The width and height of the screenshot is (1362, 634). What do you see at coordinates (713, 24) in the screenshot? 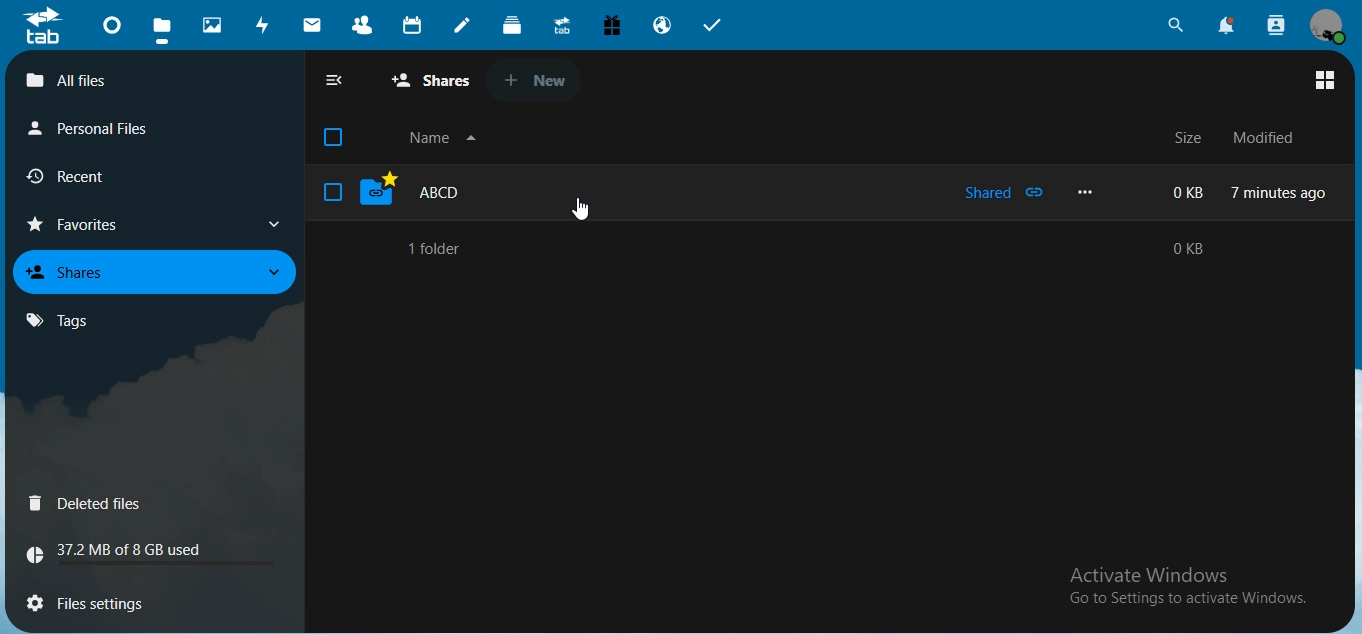
I see `tasks` at bounding box center [713, 24].